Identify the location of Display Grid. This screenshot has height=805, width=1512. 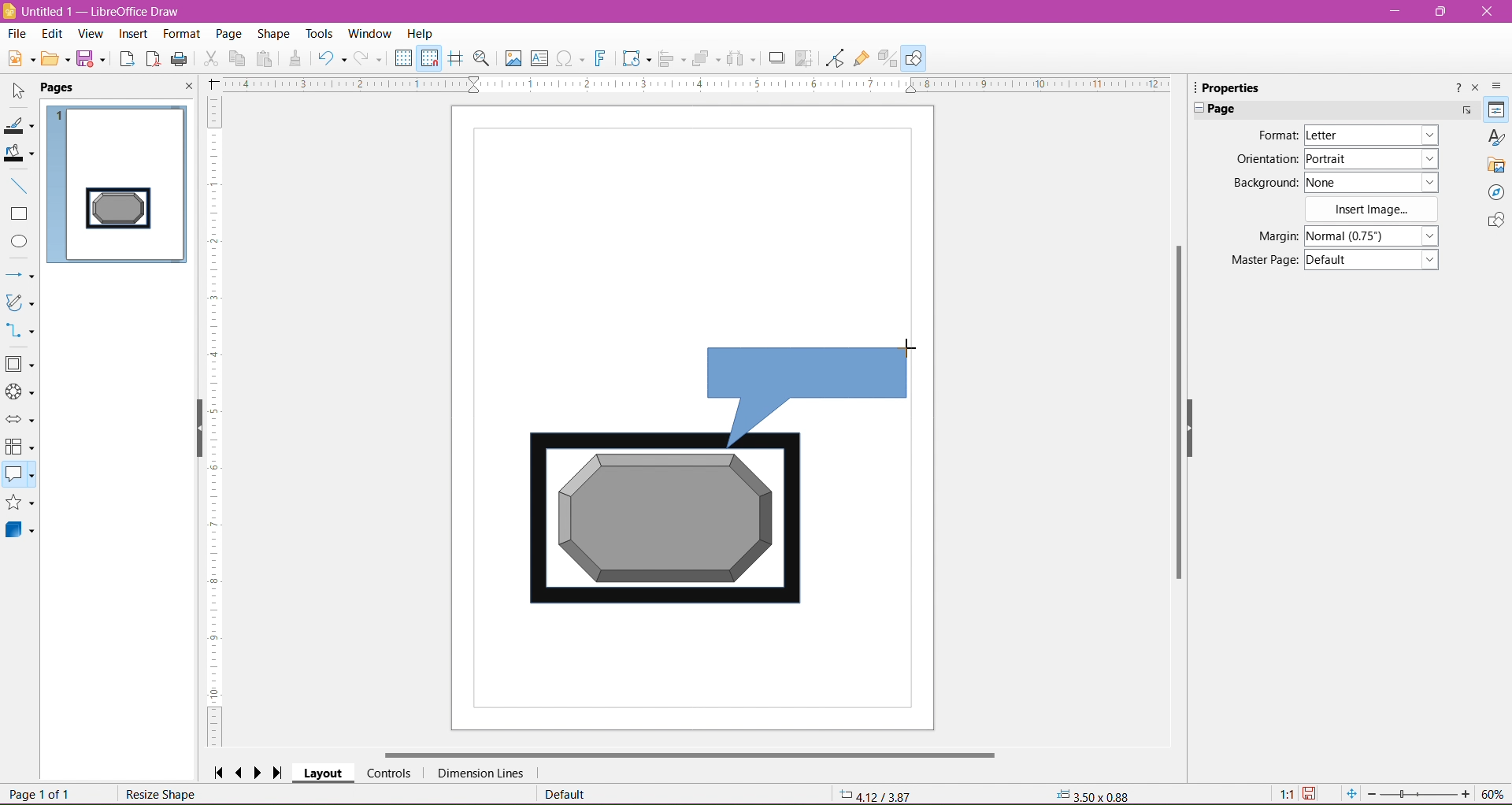
(403, 60).